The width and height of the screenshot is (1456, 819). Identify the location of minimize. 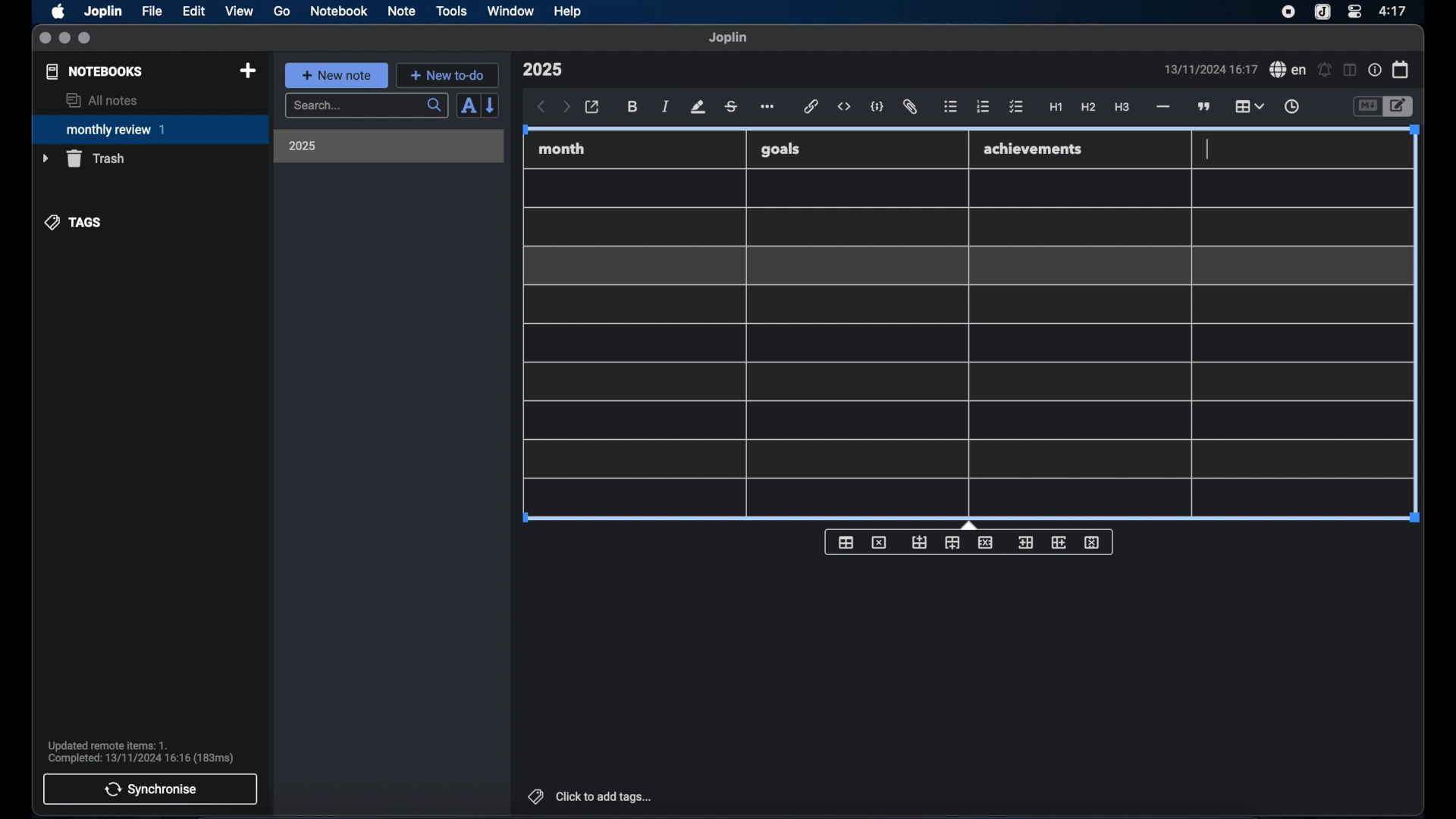
(64, 39).